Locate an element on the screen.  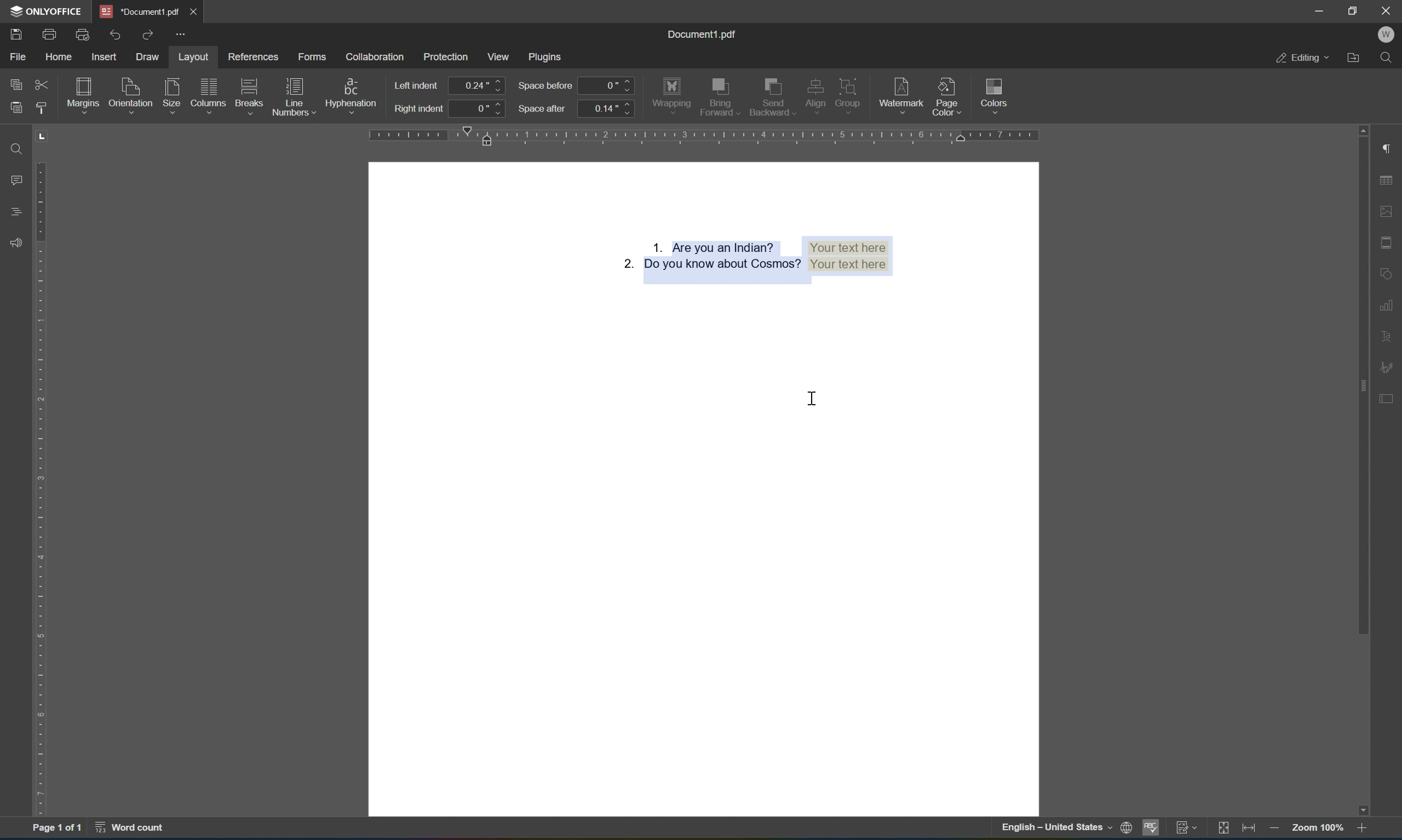
protection is located at coordinates (447, 57).